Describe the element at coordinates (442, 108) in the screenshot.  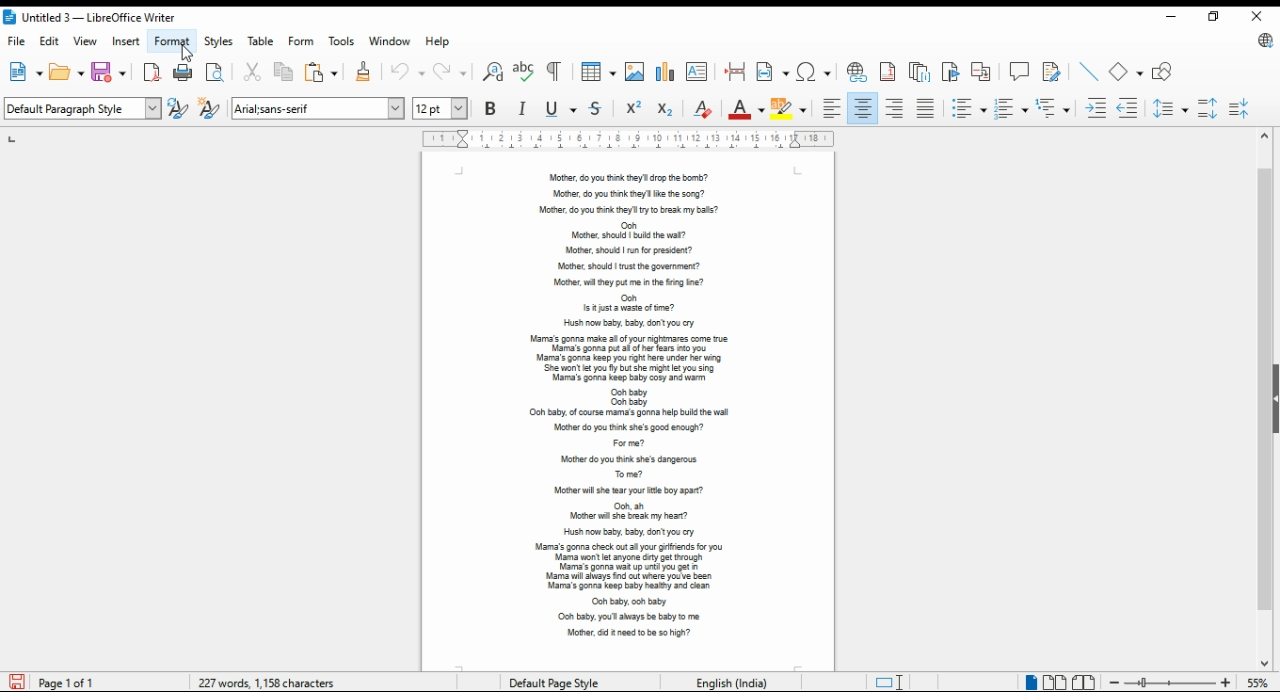
I see `font size` at that location.